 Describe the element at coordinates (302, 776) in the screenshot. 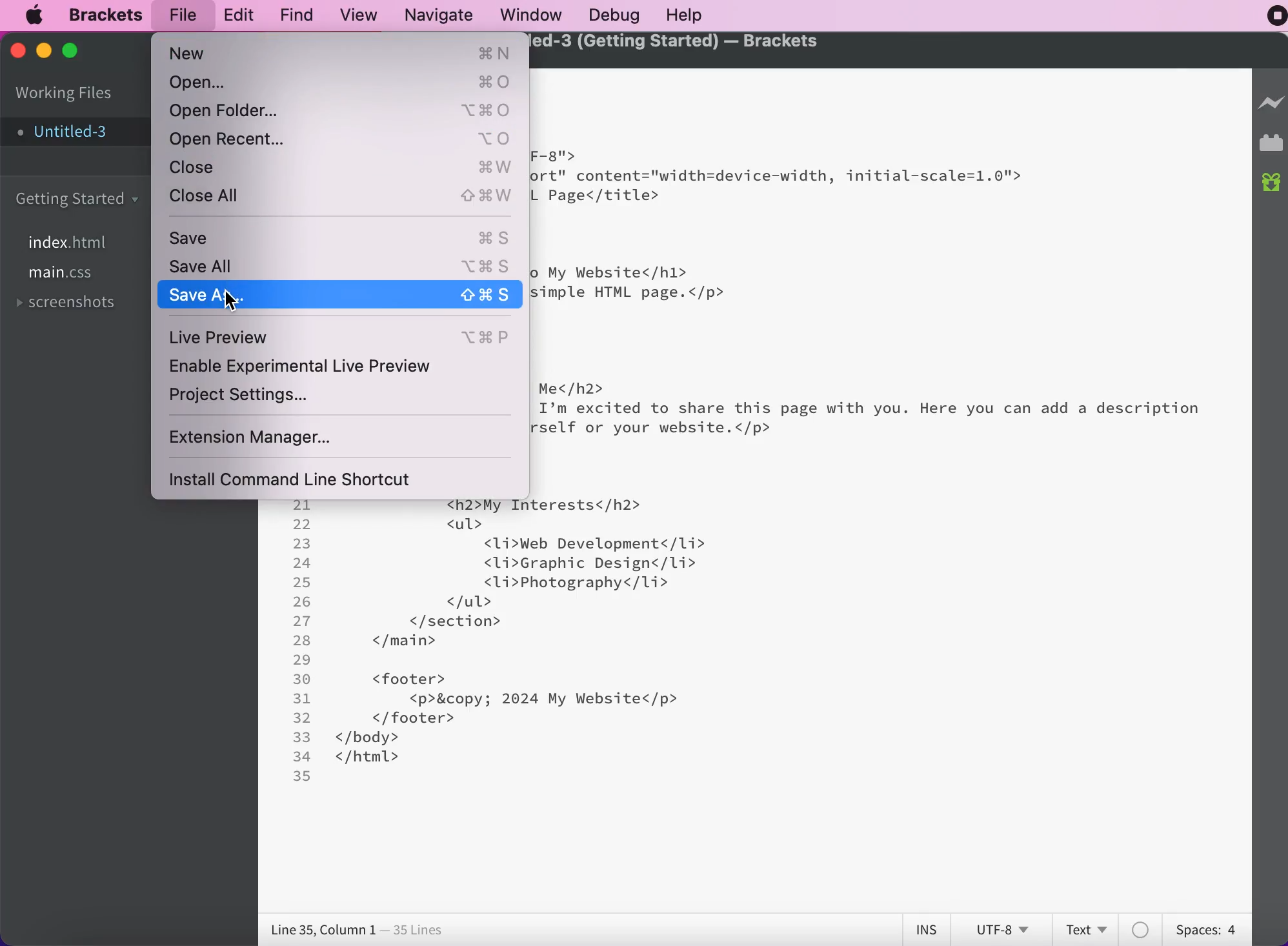

I see `35` at that location.